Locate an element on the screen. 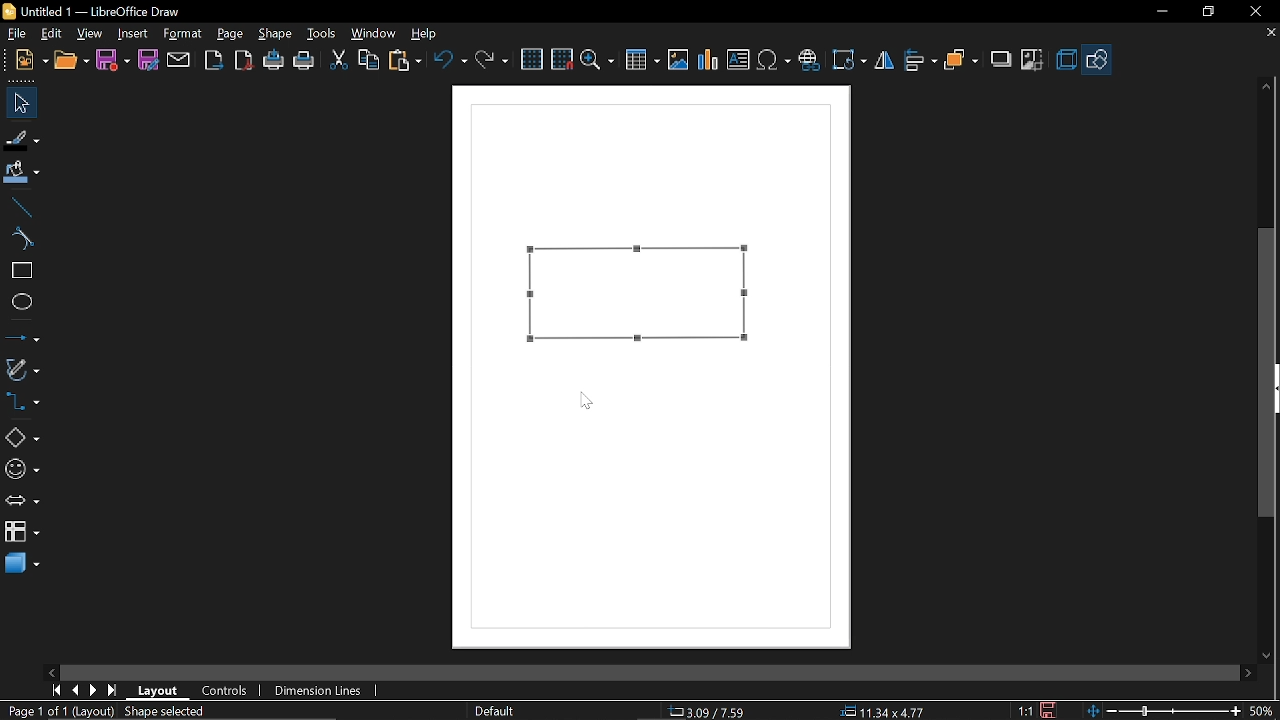 The height and width of the screenshot is (720, 1280). 3d effect is located at coordinates (1066, 60).